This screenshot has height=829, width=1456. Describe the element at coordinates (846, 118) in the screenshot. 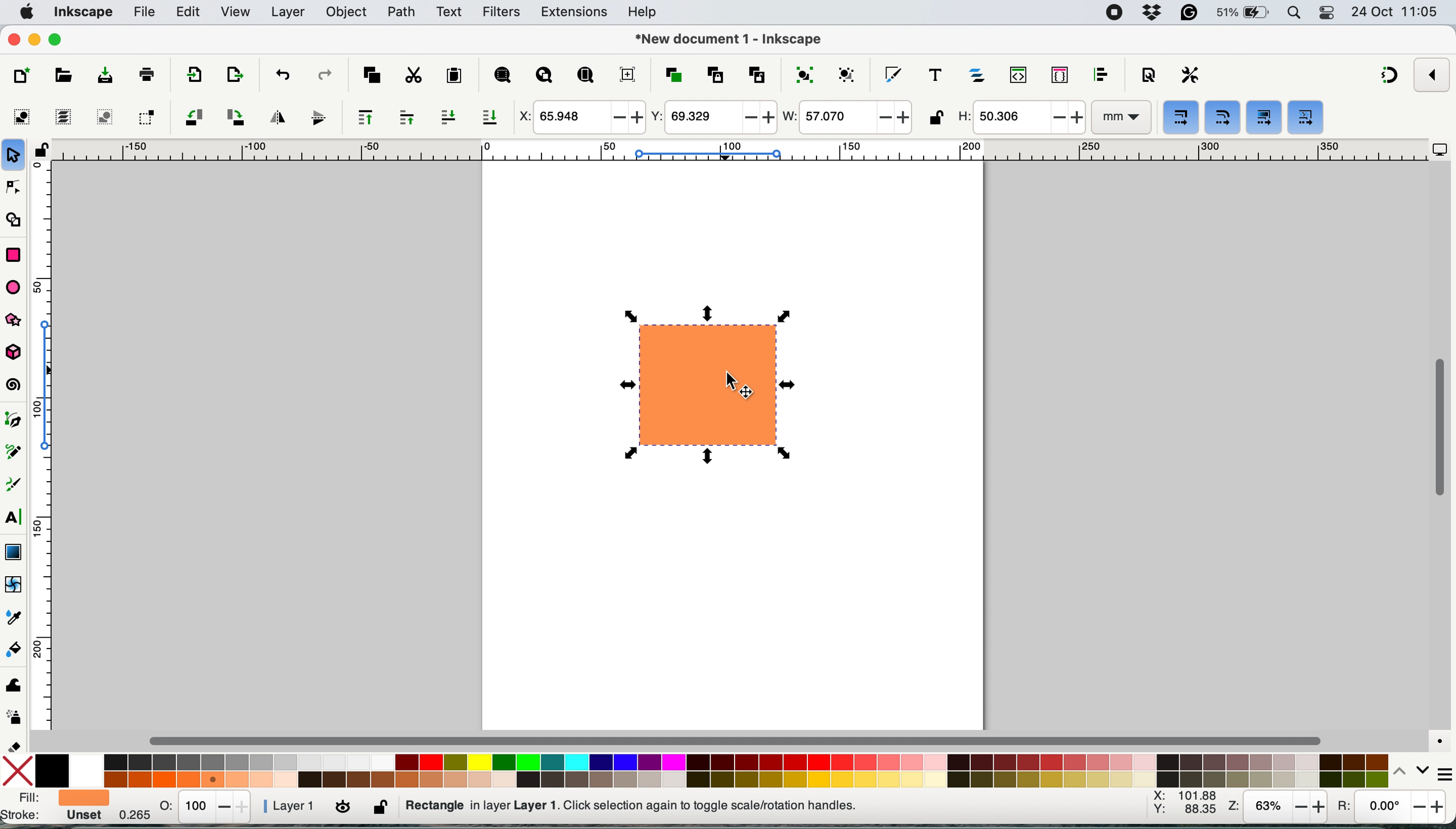

I see `width` at that location.